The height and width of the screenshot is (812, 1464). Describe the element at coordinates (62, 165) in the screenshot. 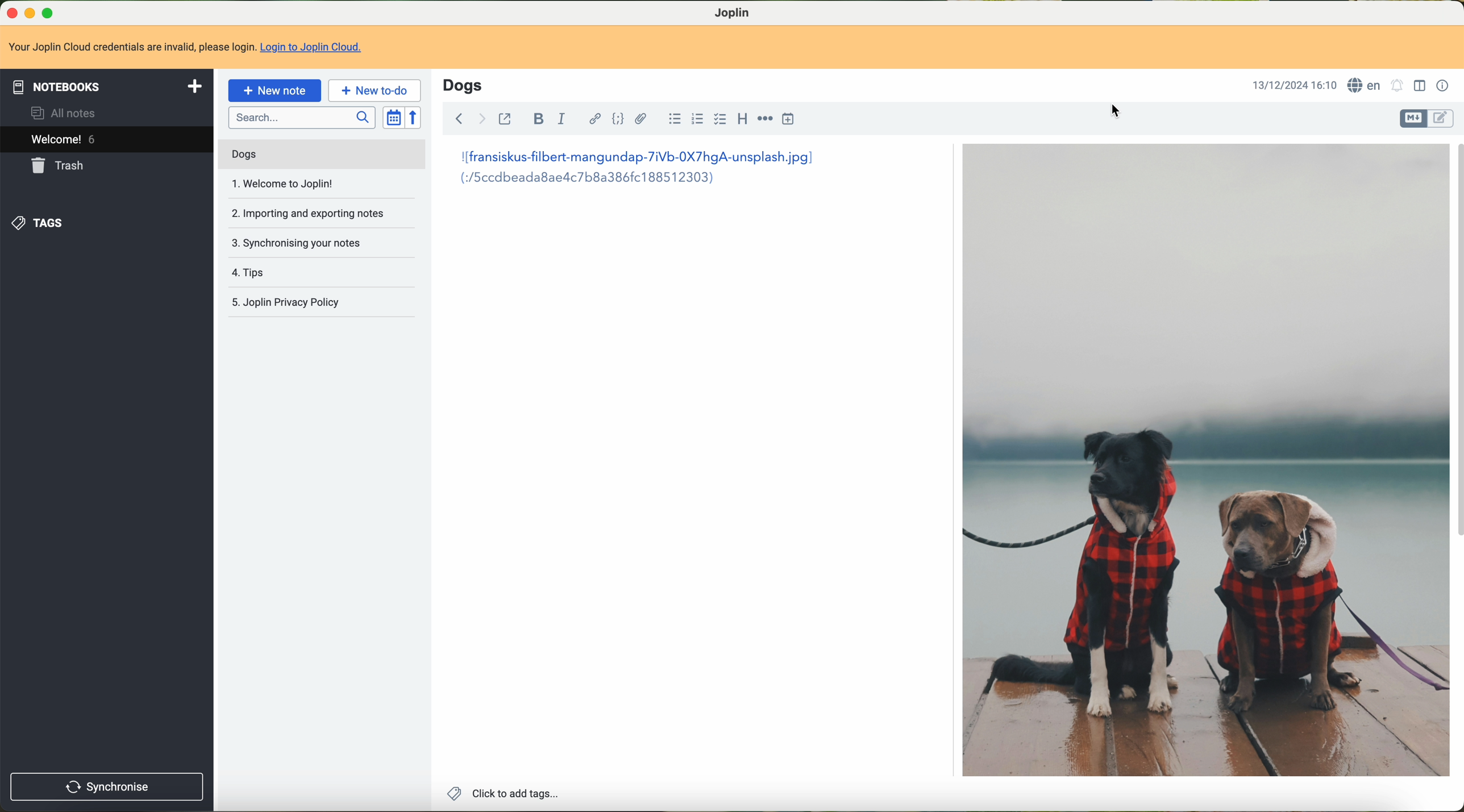

I see `trash` at that location.